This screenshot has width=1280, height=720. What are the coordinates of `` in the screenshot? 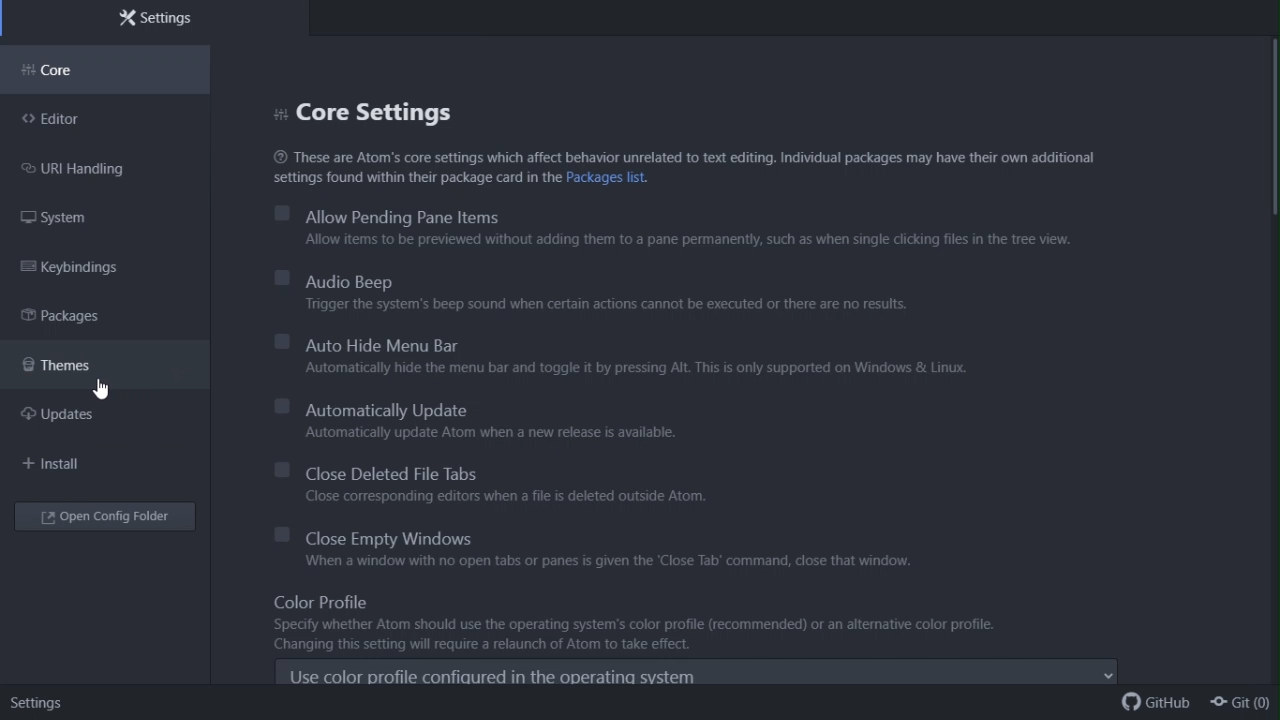 It's located at (61, 465).